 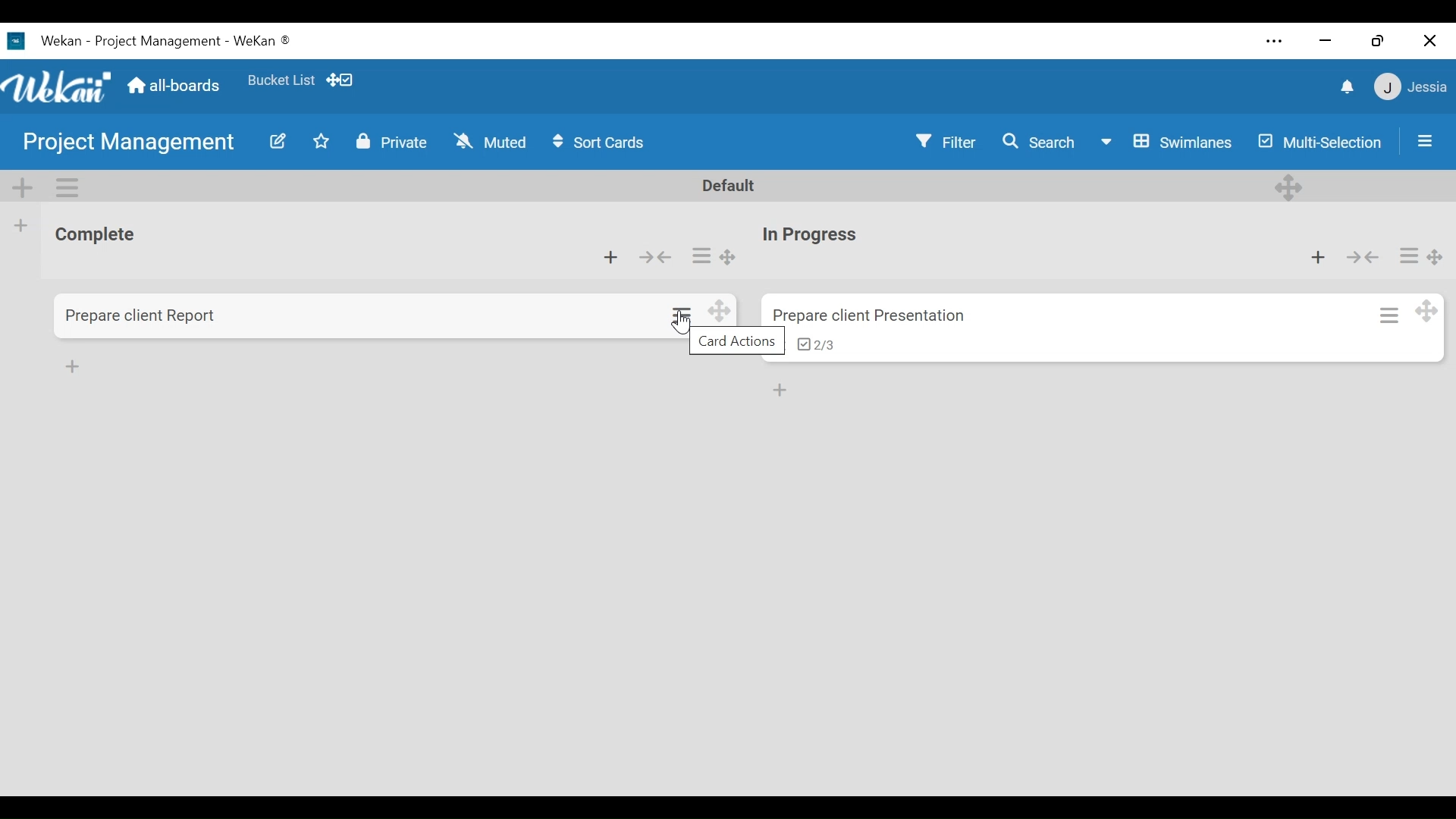 I want to click on Add card to bottom of the list, so click(x=782, y=391).